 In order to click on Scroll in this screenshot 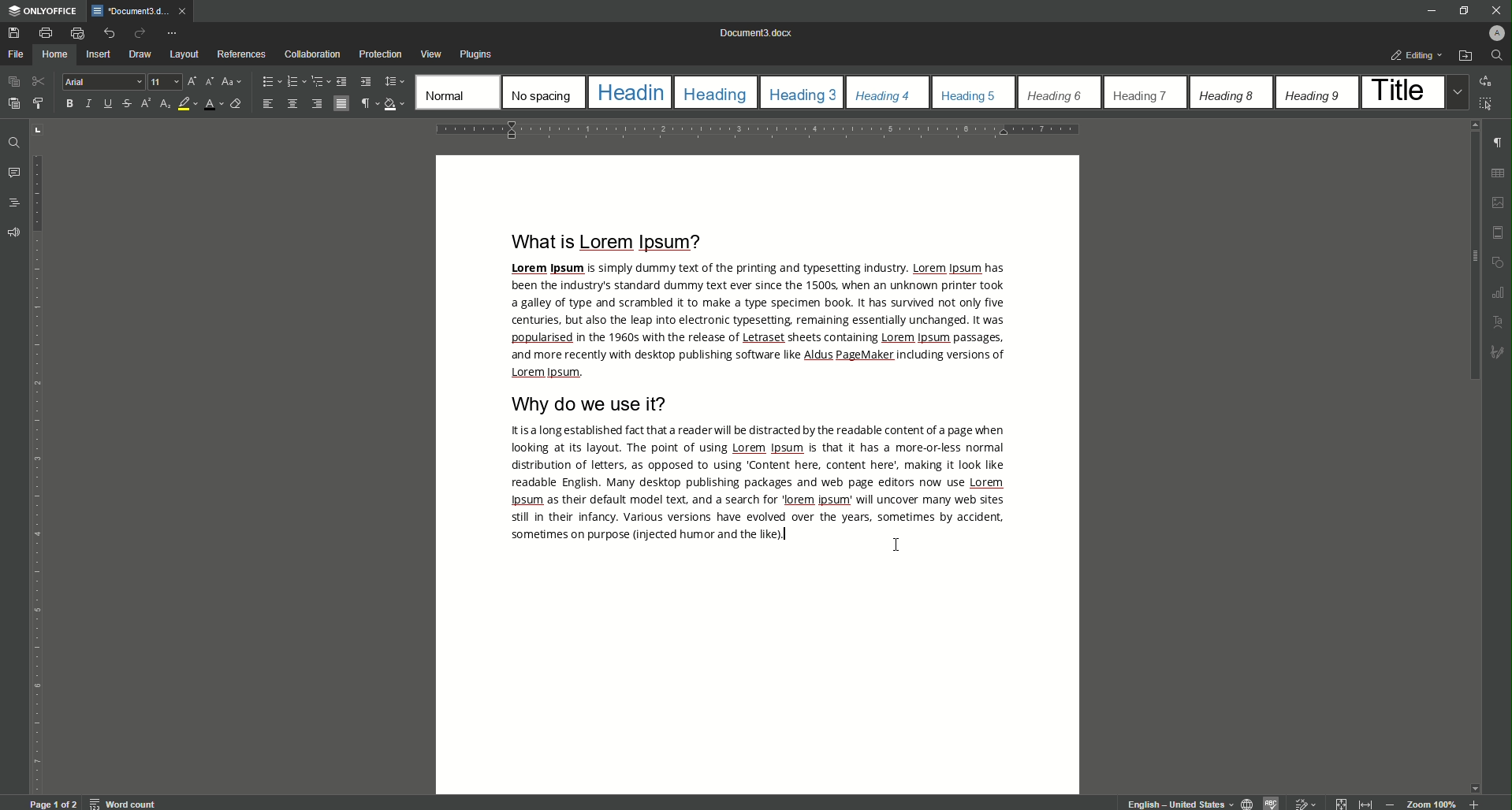, I will do `click(1473, 250)`.